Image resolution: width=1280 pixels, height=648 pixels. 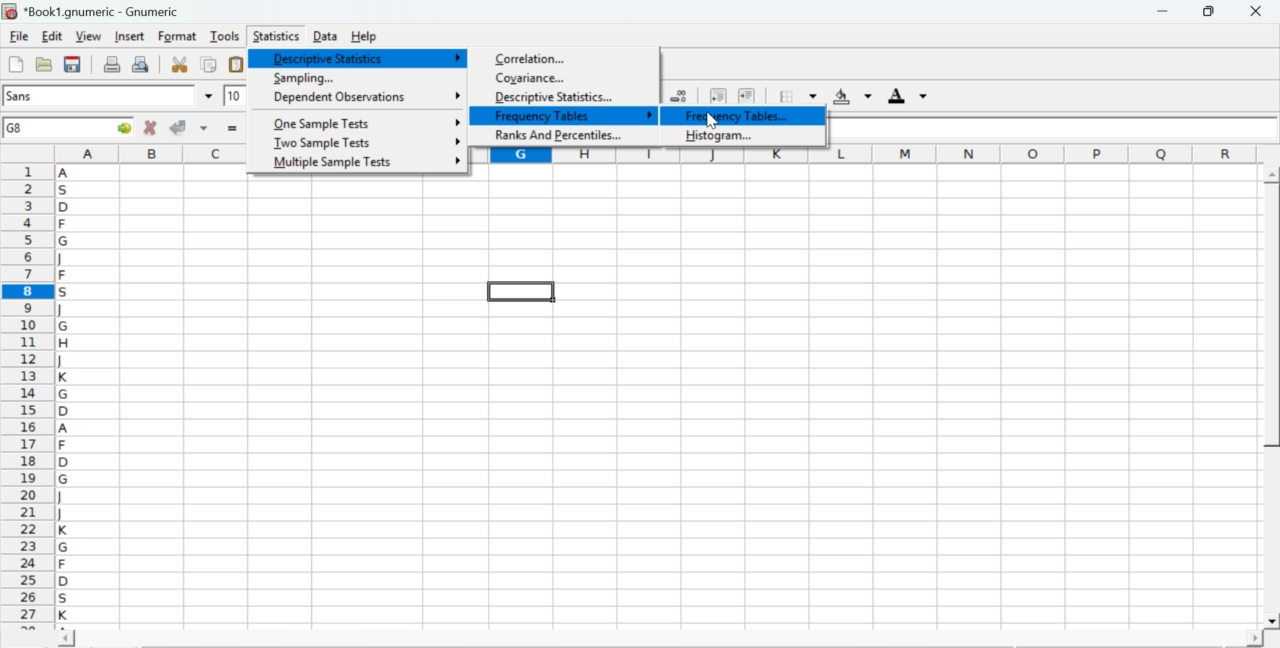 I want to click on histogram..., so click(x=722, y=136).